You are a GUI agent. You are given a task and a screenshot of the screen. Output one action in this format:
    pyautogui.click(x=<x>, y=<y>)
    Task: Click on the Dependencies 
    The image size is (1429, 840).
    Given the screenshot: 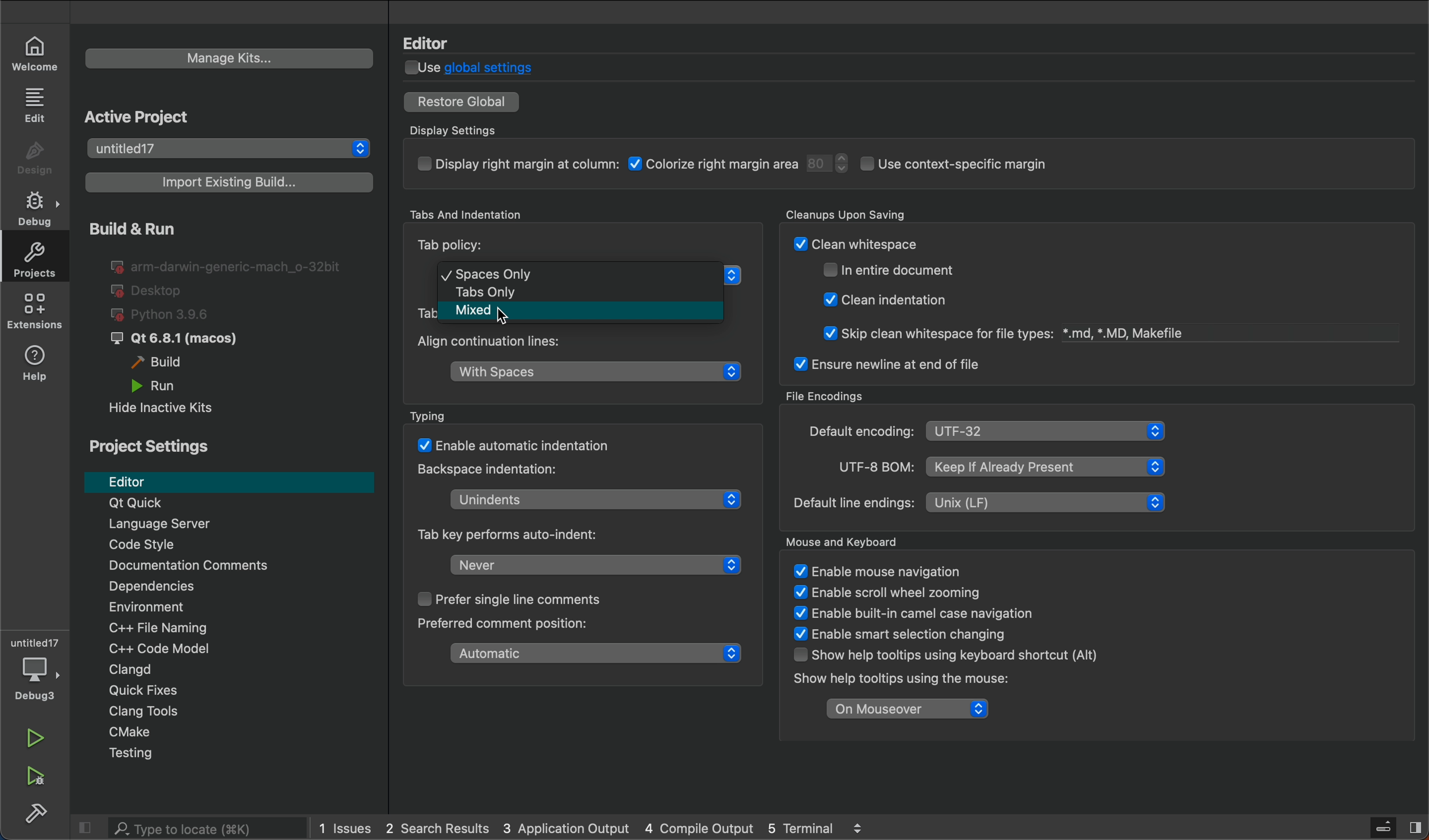 What is the action you would take?
    pyautogui.click(x=245, y=588)
    